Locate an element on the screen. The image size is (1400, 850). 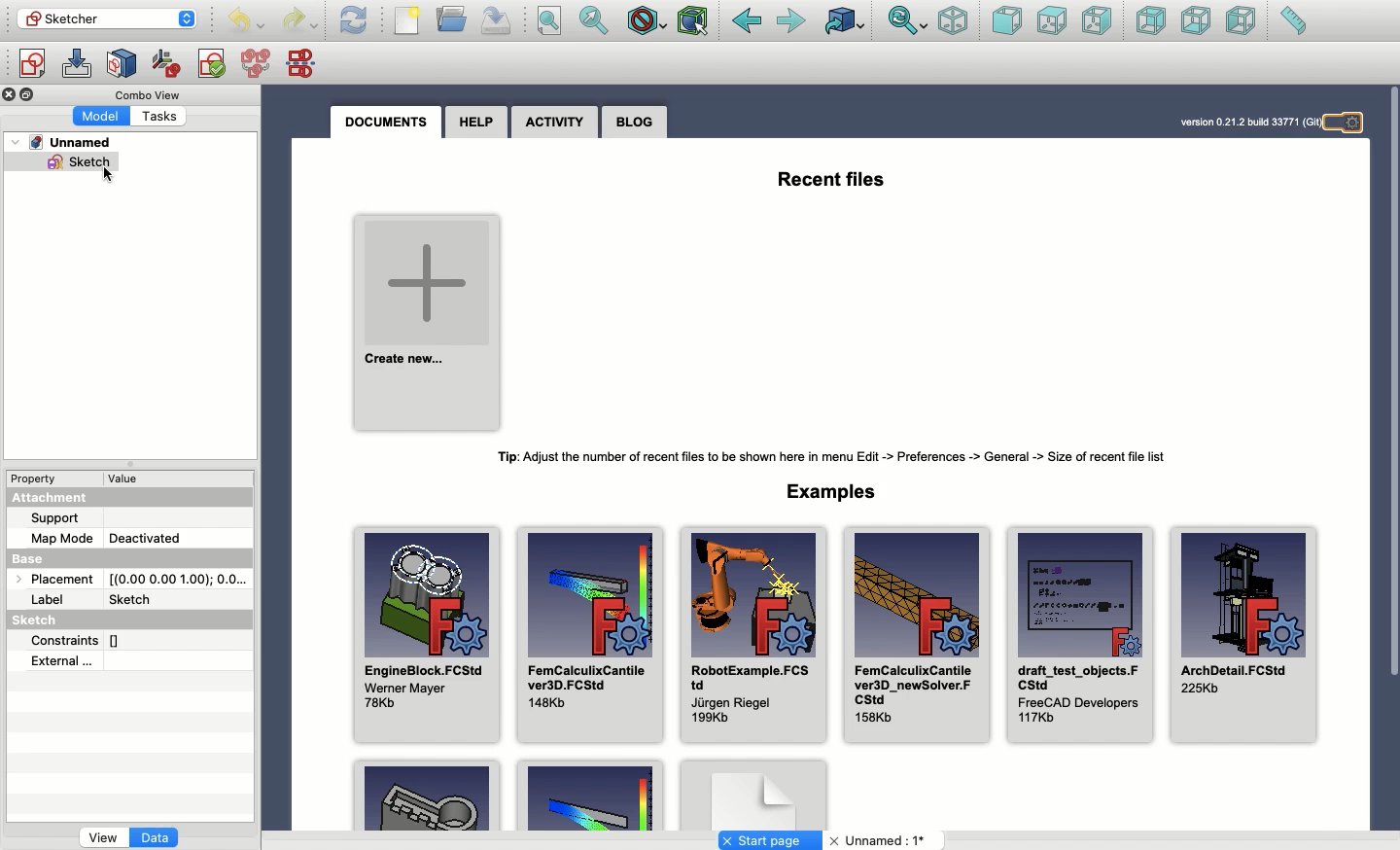
EngineBlock is located at coordinates (425, 627).